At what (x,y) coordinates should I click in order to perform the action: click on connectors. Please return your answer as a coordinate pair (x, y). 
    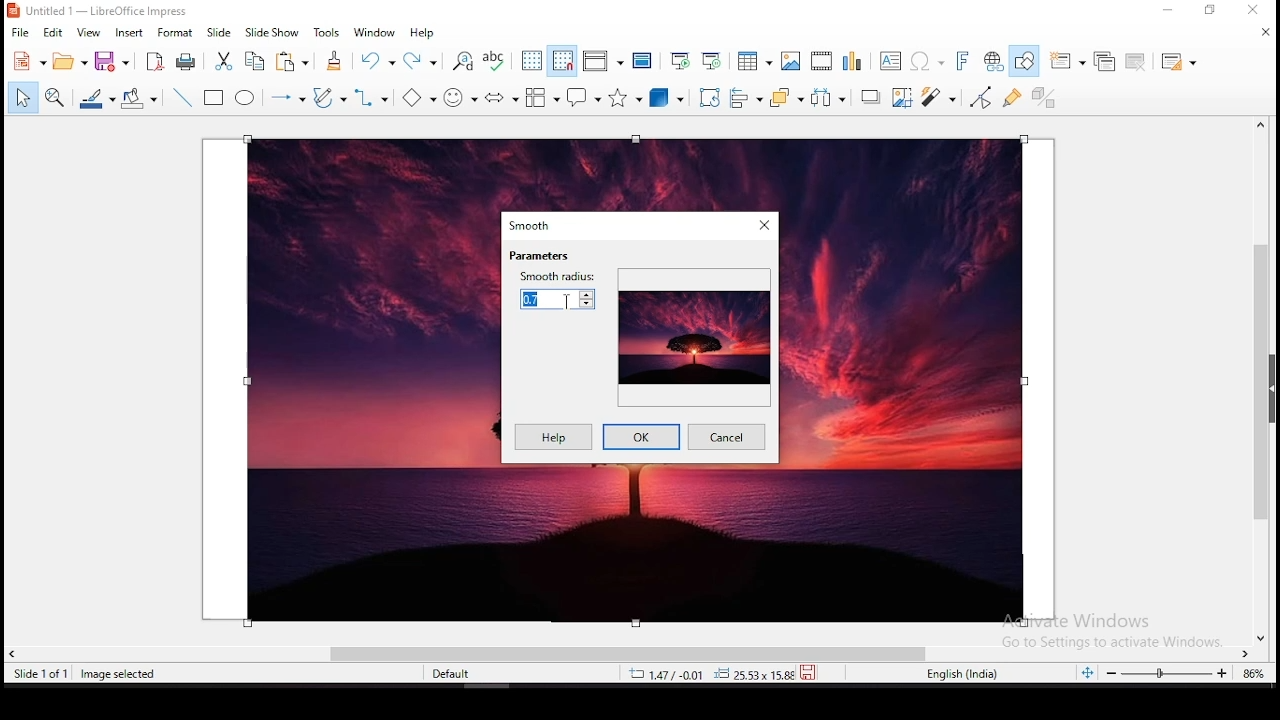
    Looking at the image, I should click on (372, 99).